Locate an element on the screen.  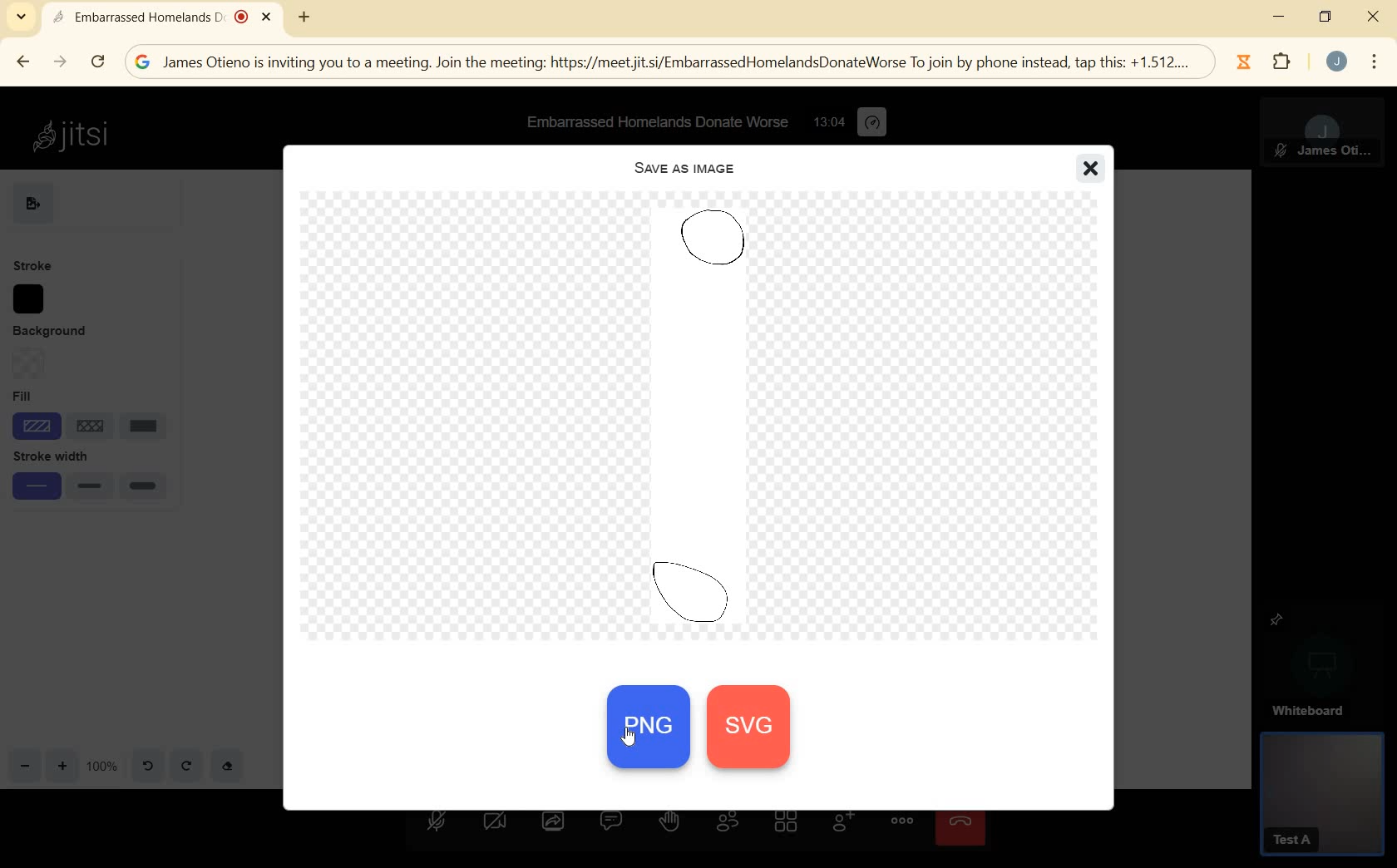
shade is located at coordinates (32, 426).